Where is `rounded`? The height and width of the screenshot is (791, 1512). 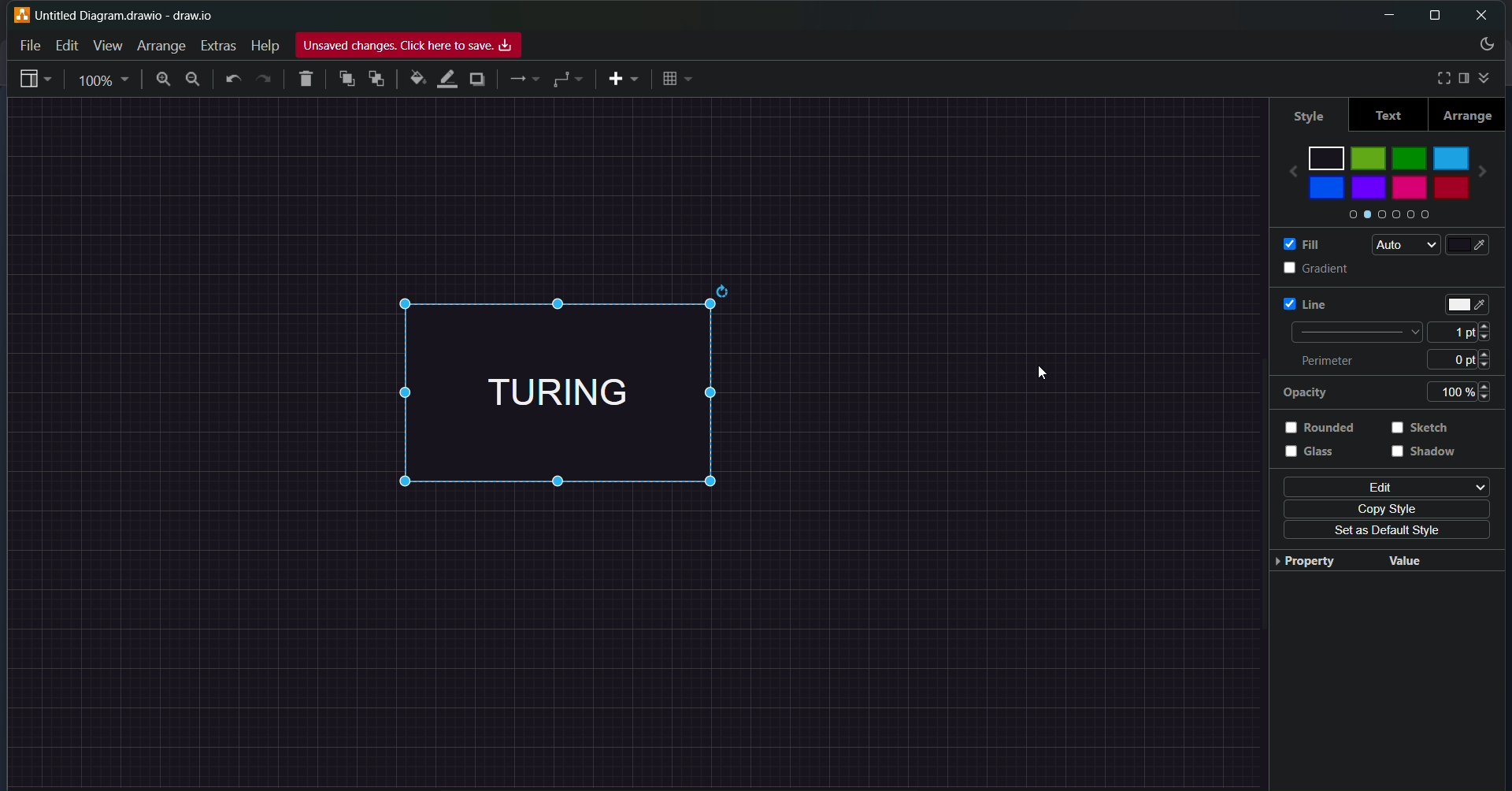
rounded is located at coordinates (1325, 427).